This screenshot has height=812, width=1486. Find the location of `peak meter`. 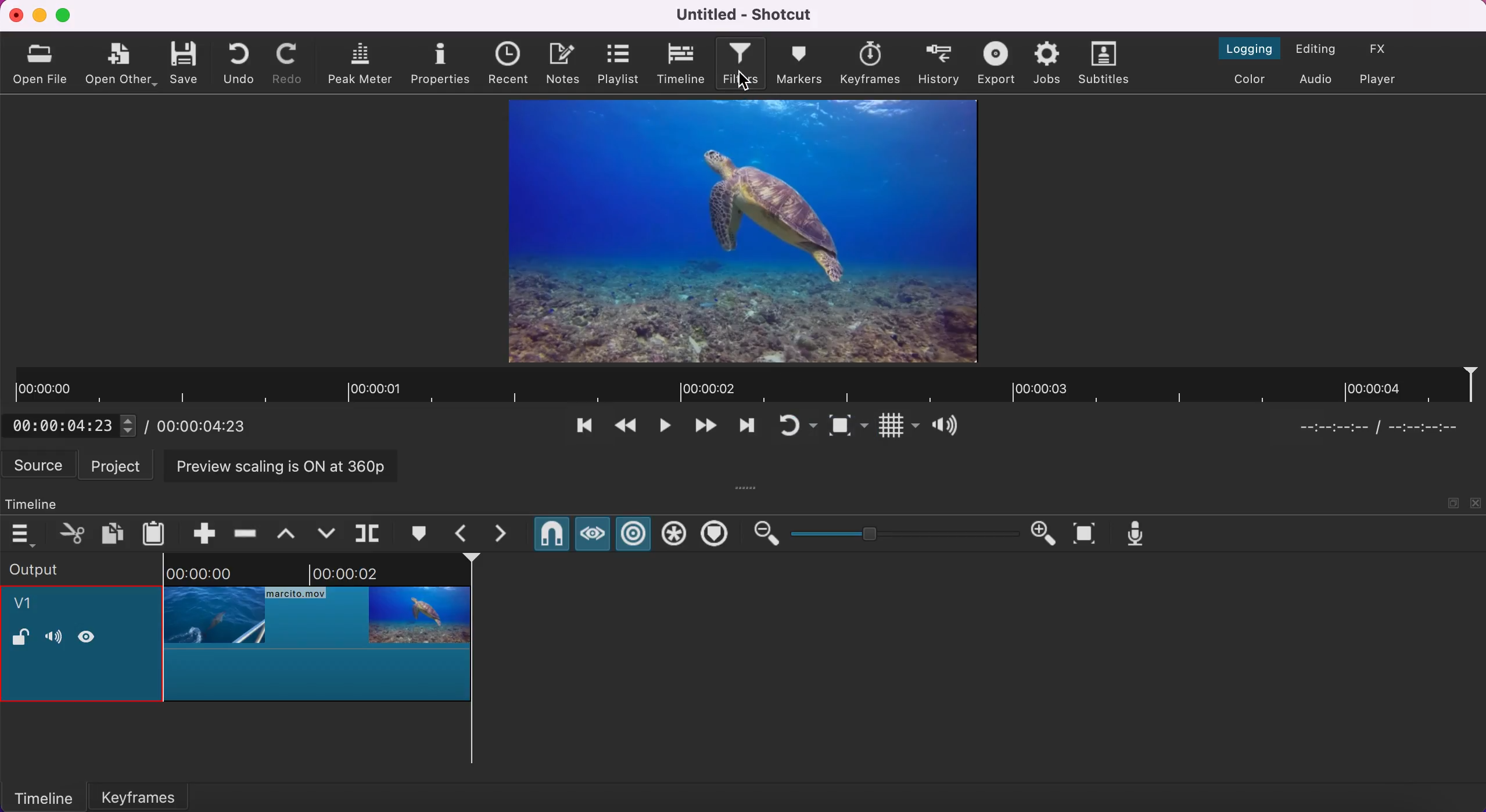

peak meter is located at coordinates (362, 64).